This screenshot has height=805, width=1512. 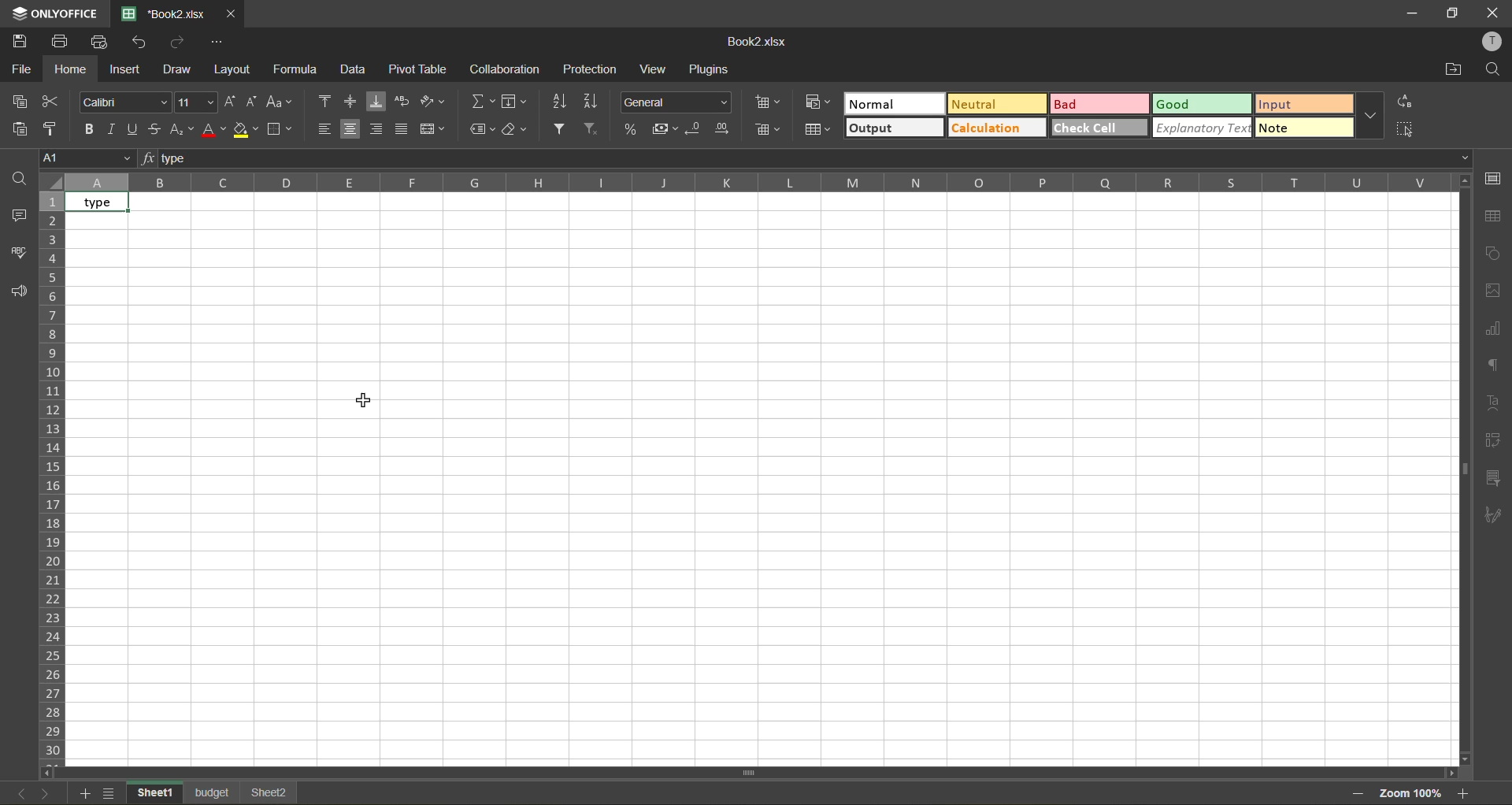 I want to click on zoom out, so click(x=1360, y=792).